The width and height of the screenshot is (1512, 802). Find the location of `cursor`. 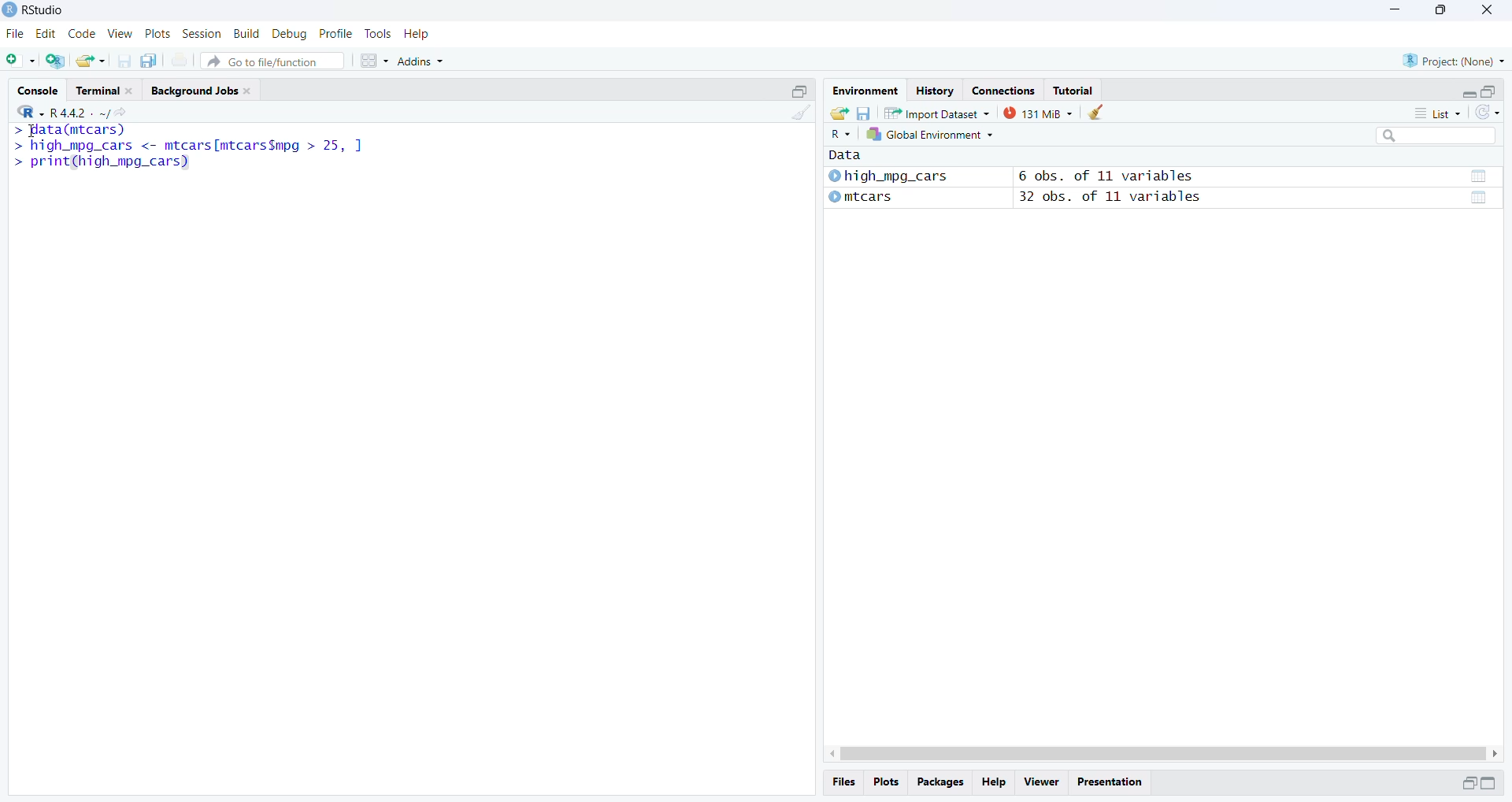

cursor is located at coordinates (29, 133).